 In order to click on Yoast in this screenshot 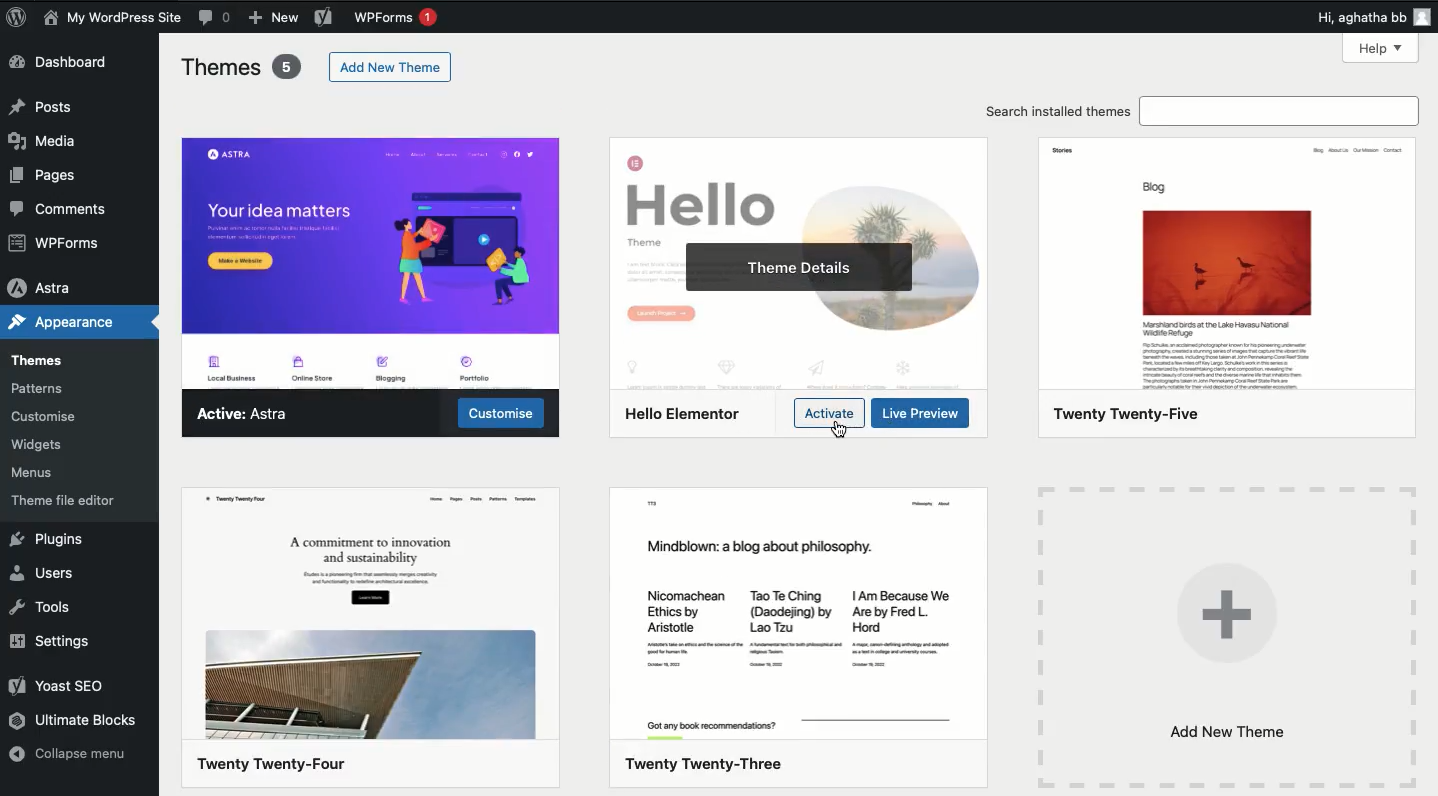, I will do `click(323, 16)`.